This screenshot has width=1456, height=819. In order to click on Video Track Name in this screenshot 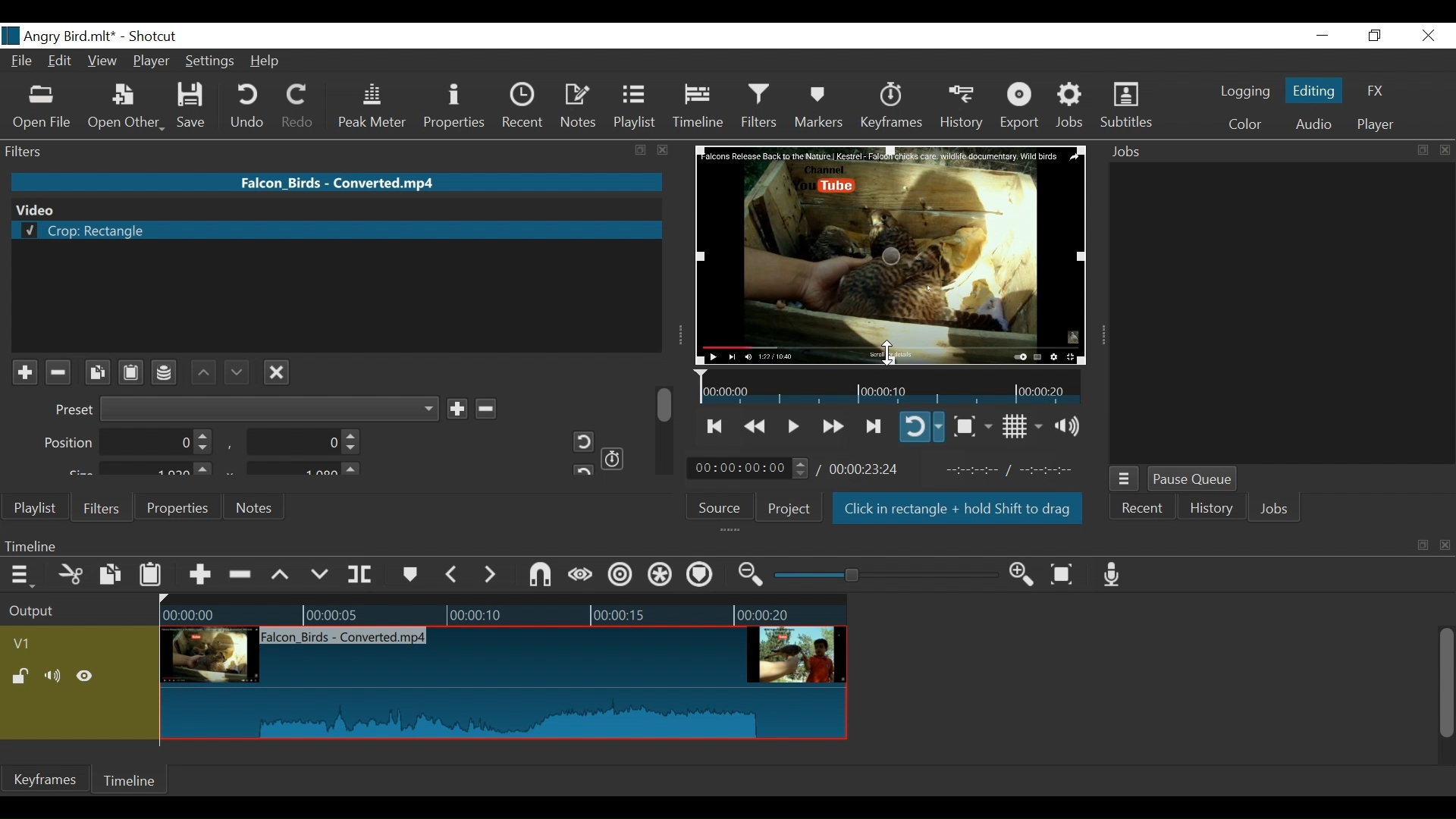, I will do `click(66, 645)`.